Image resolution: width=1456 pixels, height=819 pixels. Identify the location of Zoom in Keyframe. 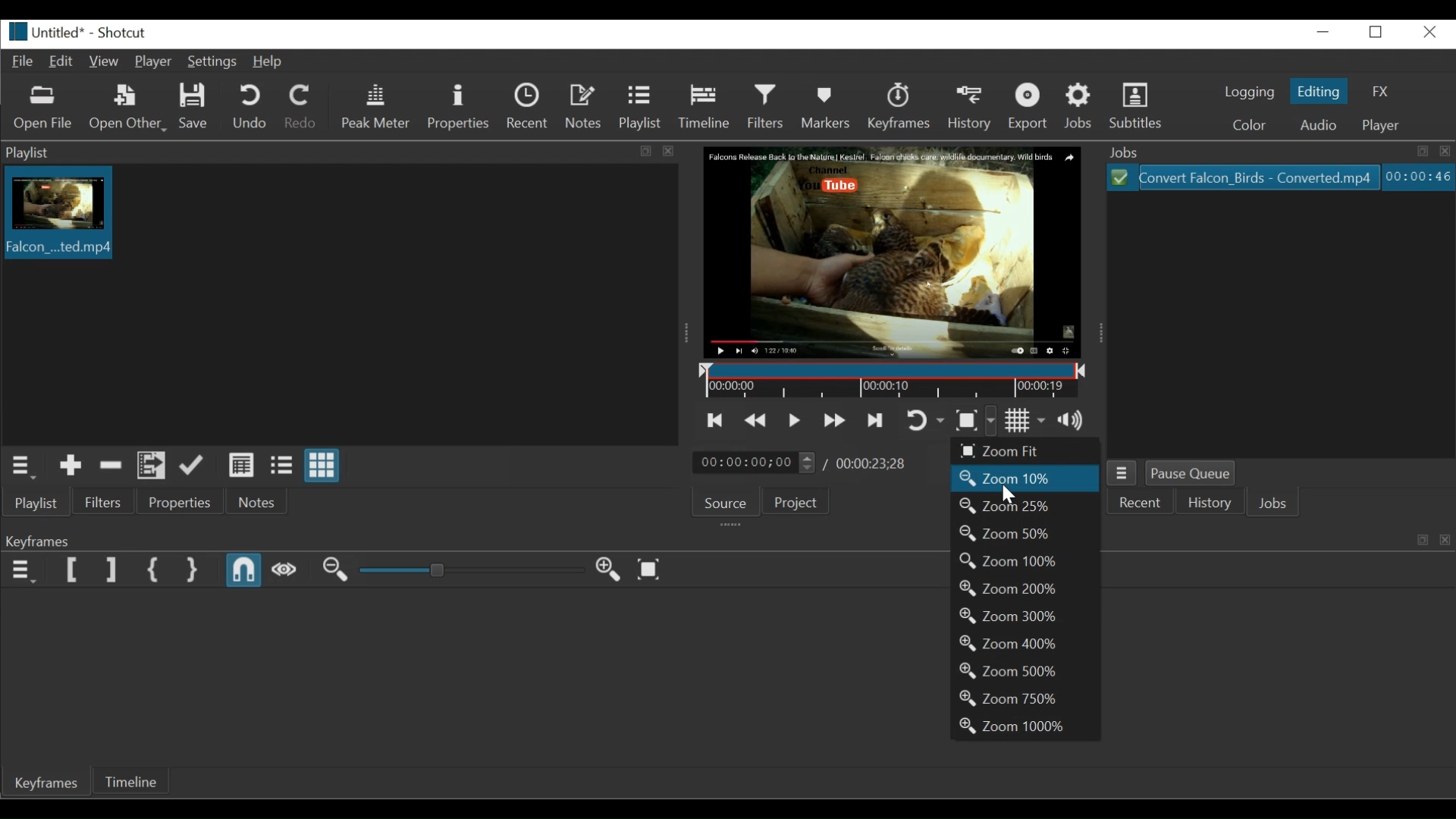
(336, 571).